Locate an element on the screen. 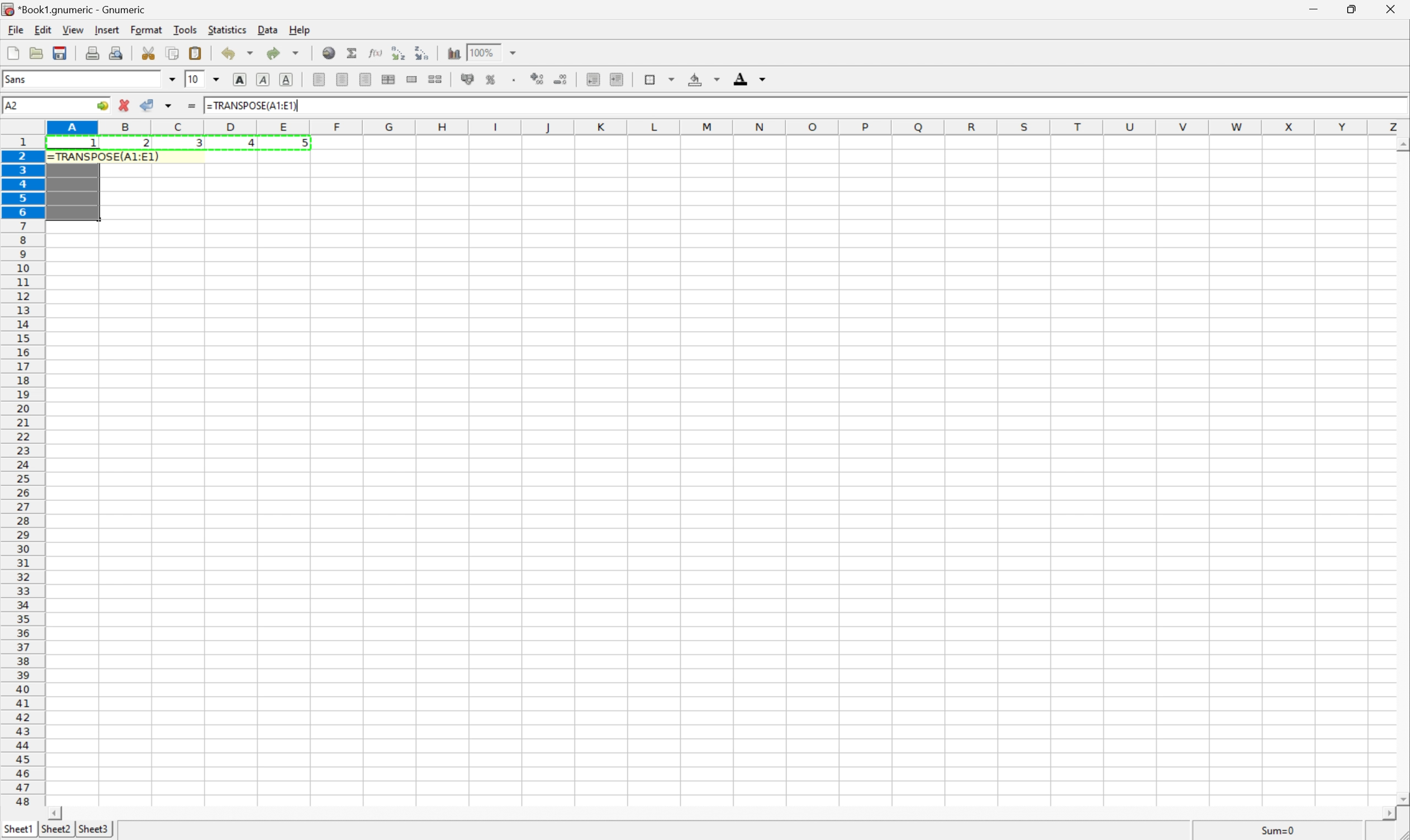 Image resolution: width=1410 pixels, height=840 pixels. format selection as percentage is located at coordinates (491, 80).